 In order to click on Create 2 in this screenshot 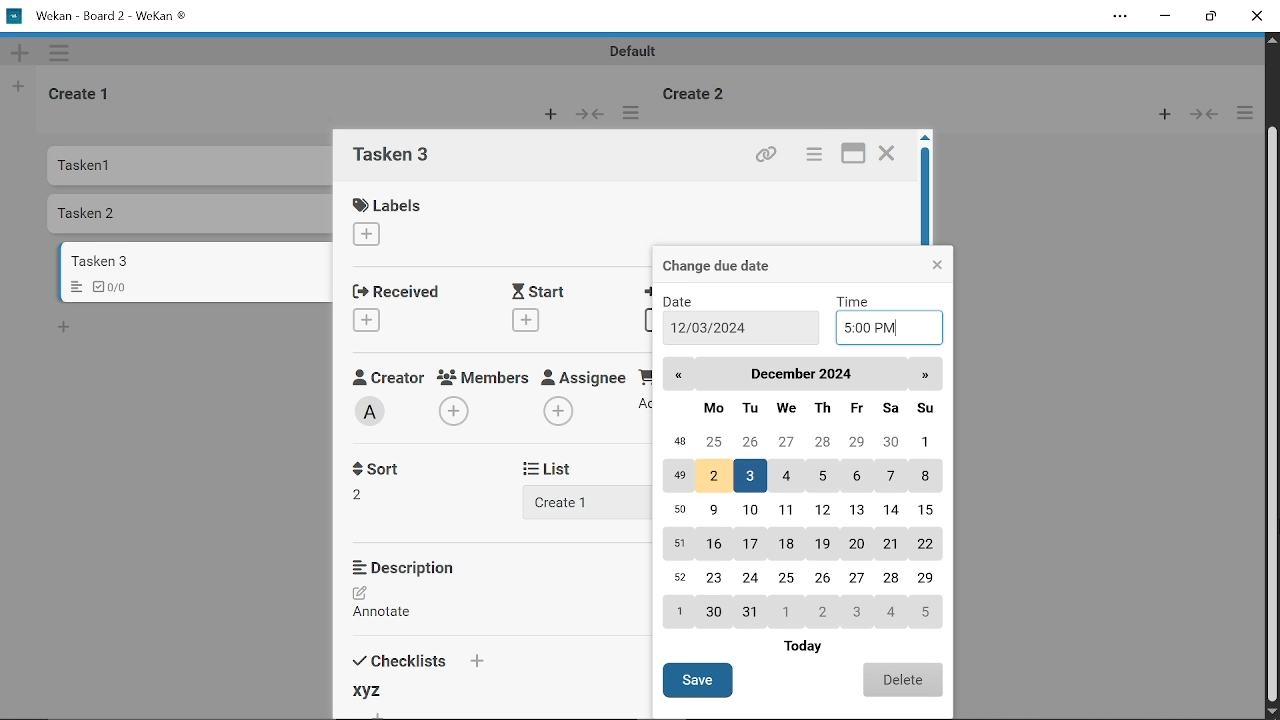, I will do `click(700, 92)`.